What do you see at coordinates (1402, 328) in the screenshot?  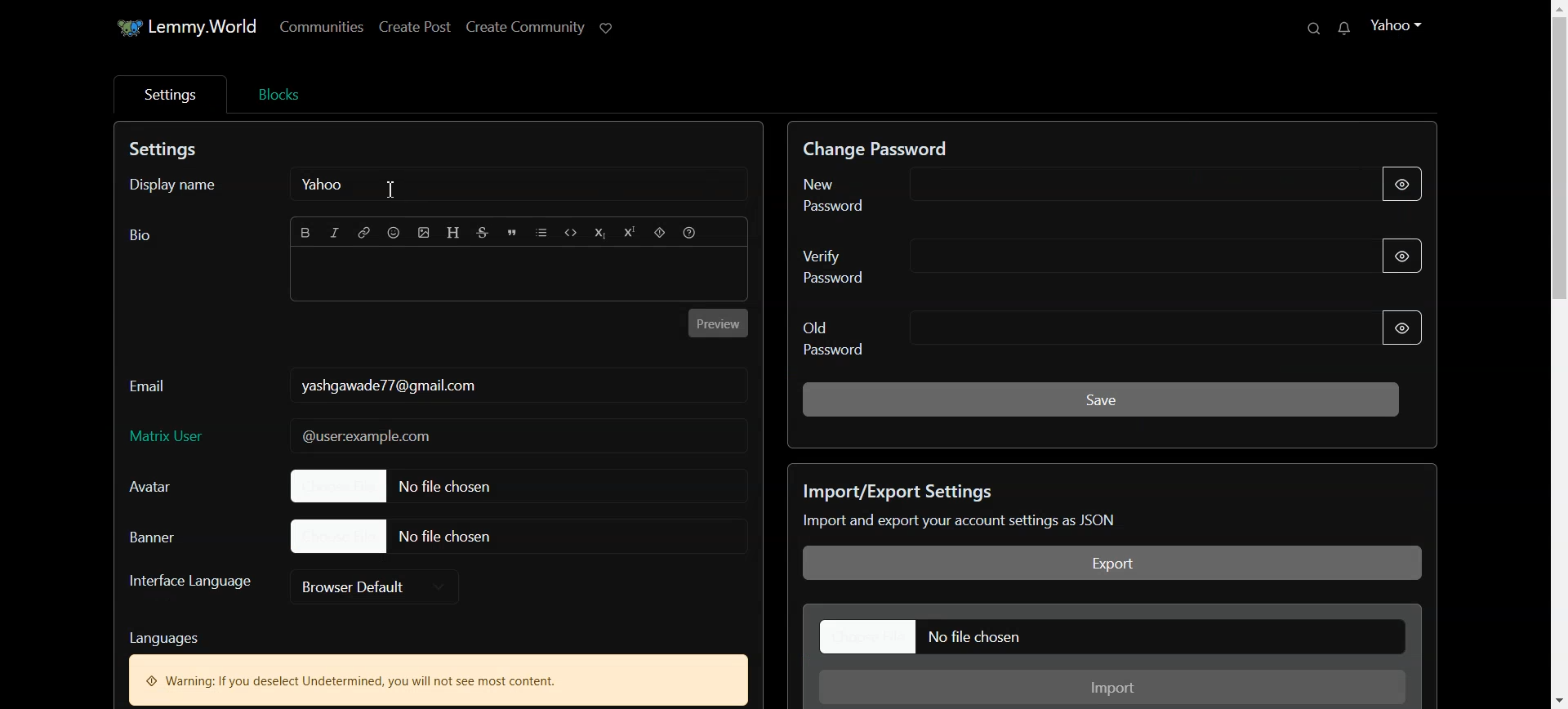 I see `Hide Password` at bounding box center [1402, 328].